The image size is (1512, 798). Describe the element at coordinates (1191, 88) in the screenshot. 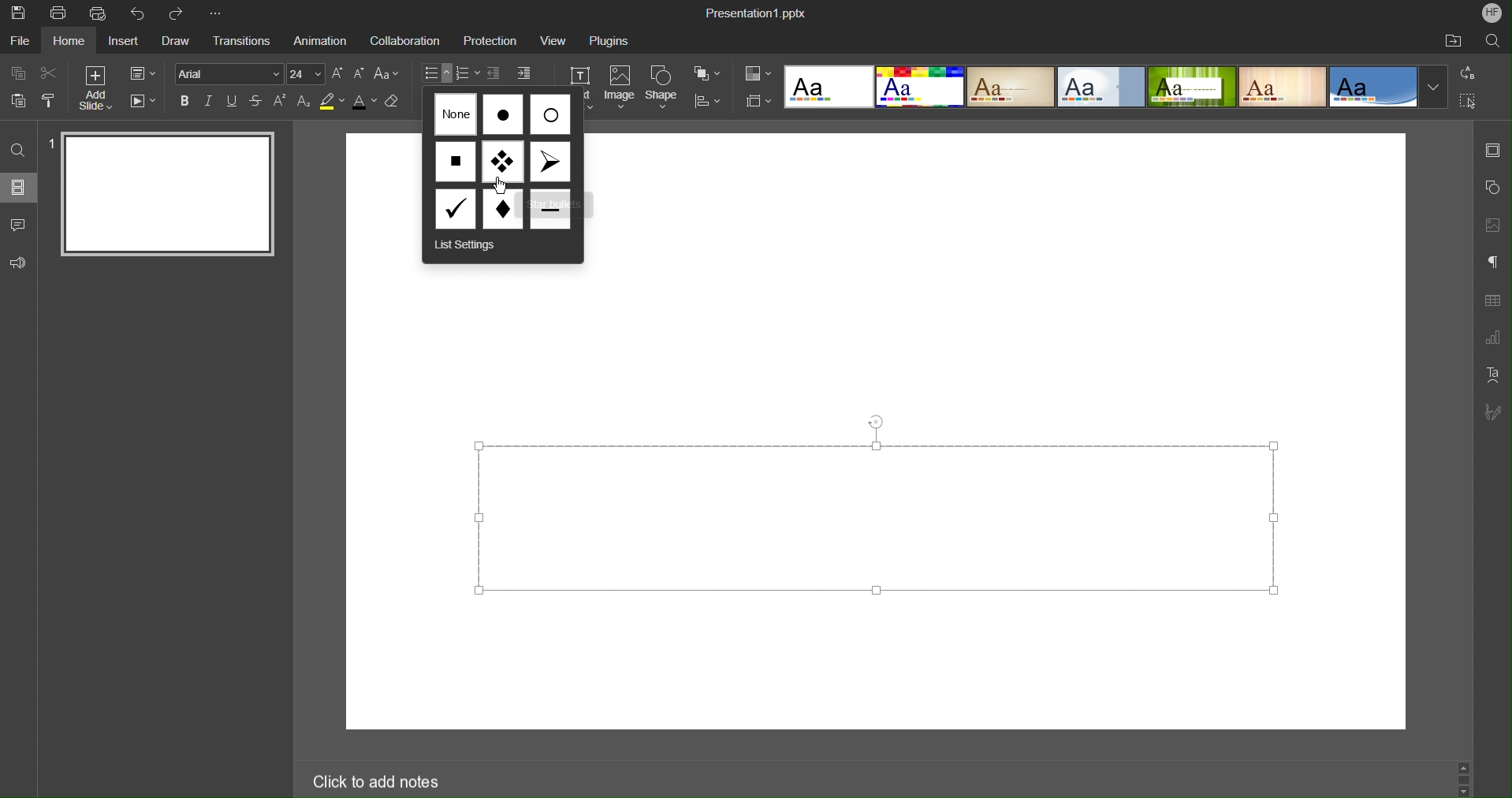

I see `template` at that location.